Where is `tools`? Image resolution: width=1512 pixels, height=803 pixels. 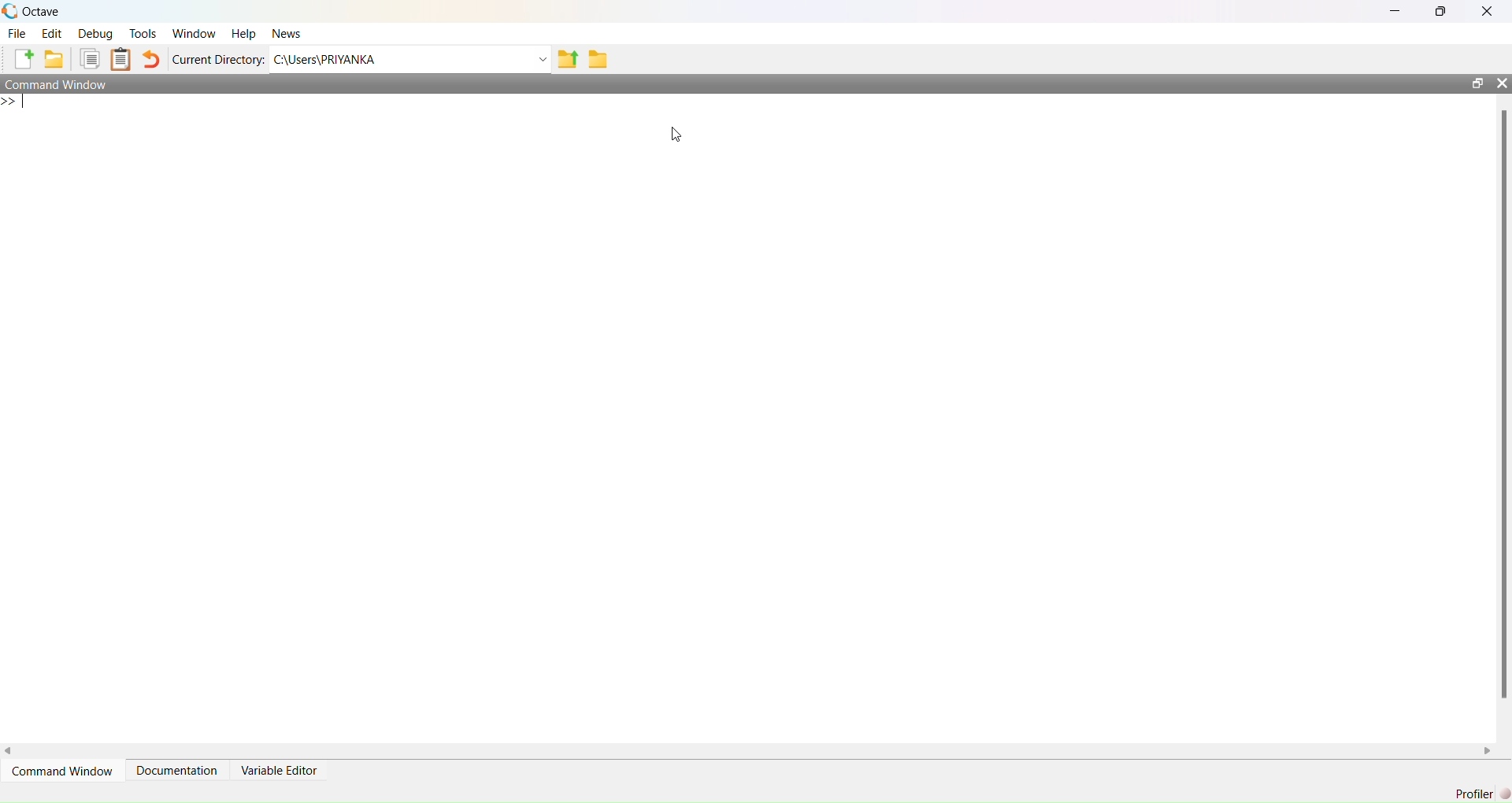 tools is located at coordinates (145, 33).